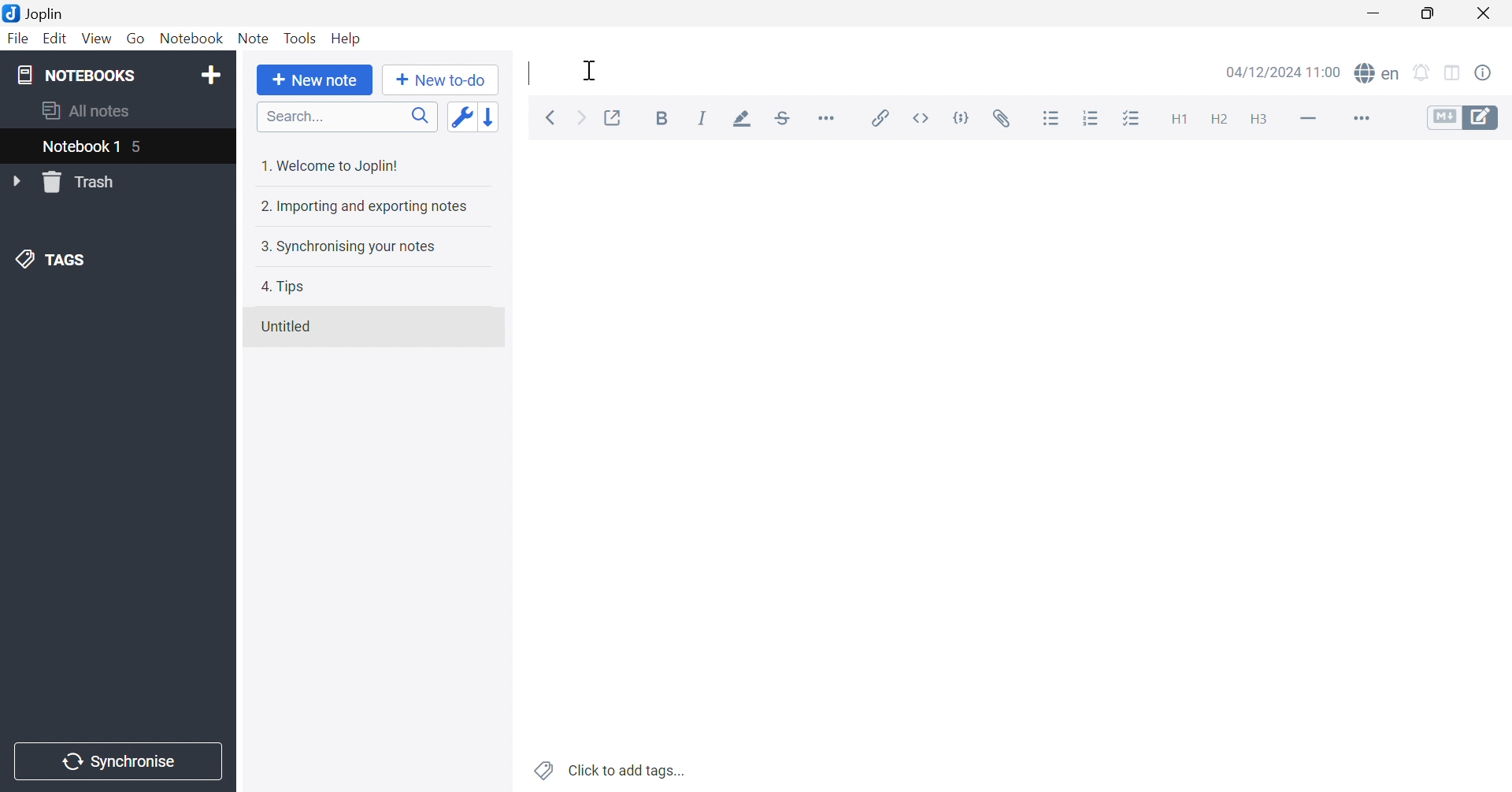 This screenshot has width=1512, height=792. I want to click on Toggle external editing, so click(611, 119).